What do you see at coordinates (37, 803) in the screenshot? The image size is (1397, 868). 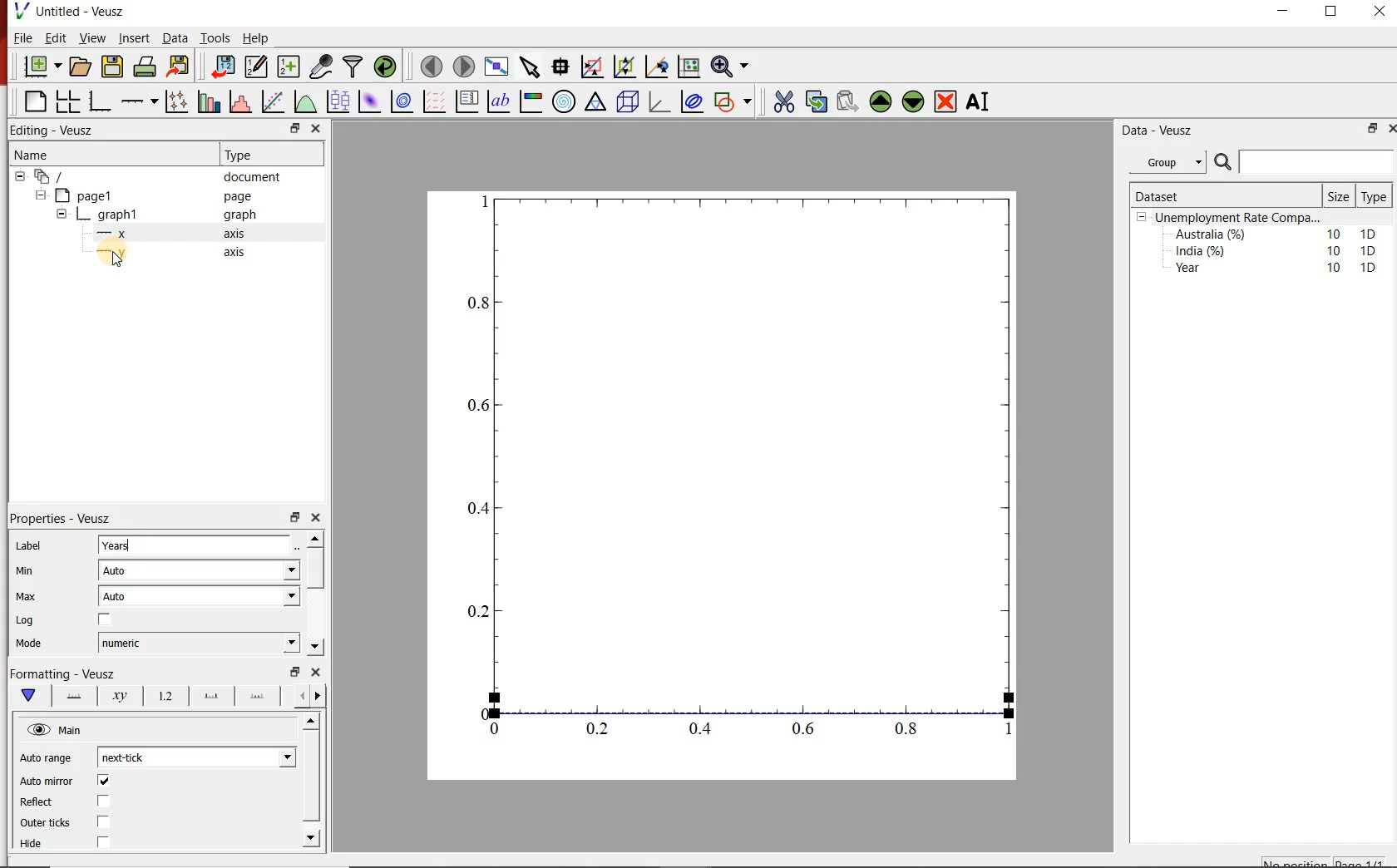 I see `Reflect` at bounding box center [37, 803].